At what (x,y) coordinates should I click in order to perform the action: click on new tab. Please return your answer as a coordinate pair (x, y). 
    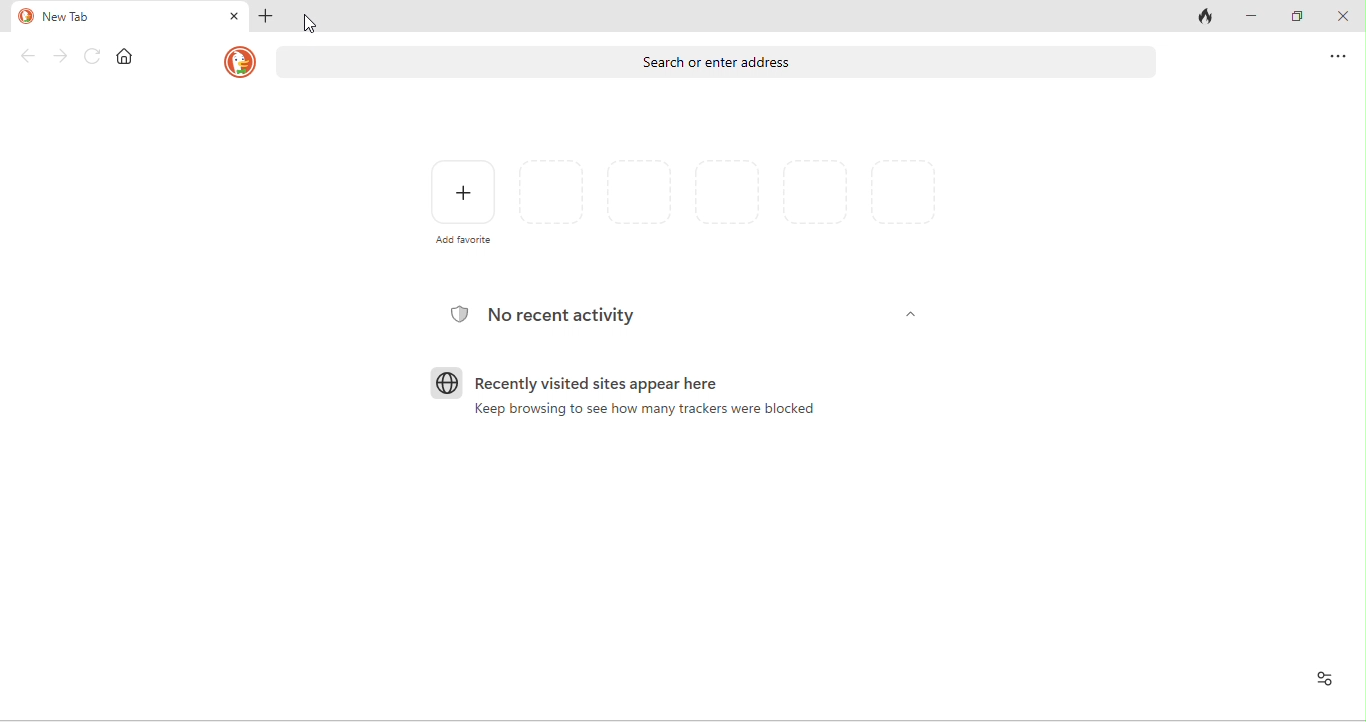
    Looking at the image, I should click on (76, 14).